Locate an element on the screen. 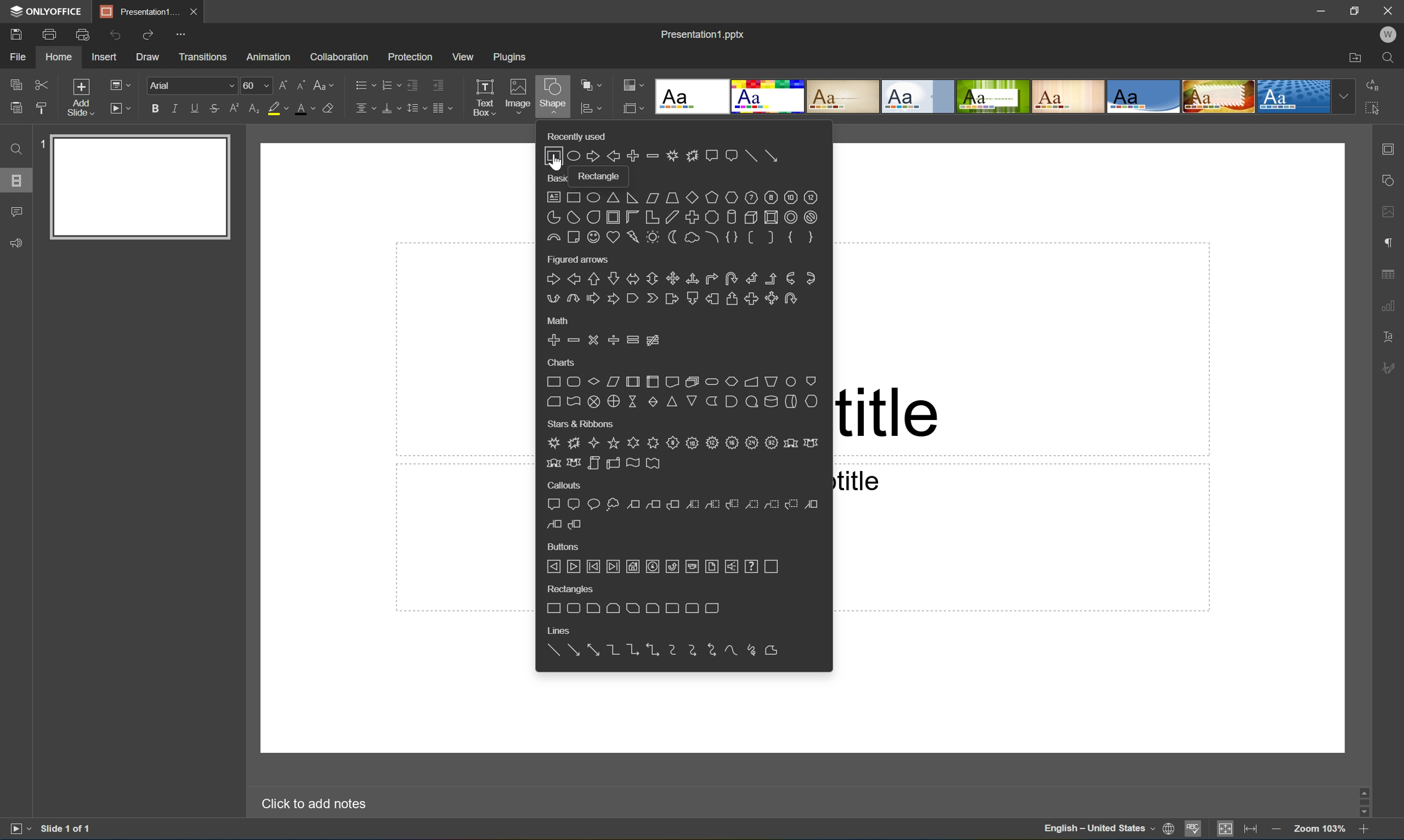  Copy is located at coordinates (17, 82).